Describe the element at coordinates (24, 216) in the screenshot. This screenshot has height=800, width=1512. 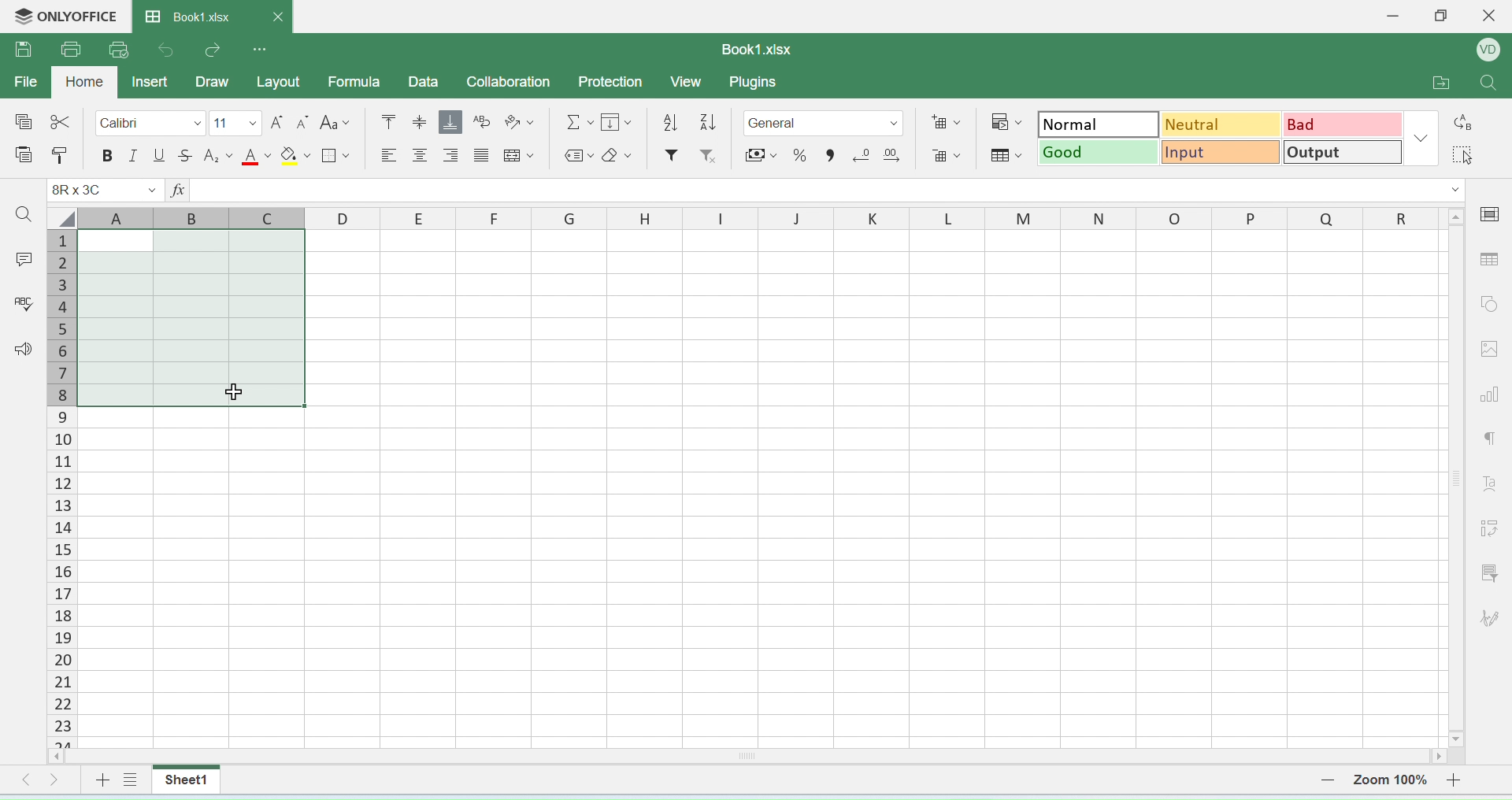
I see `search` at that location.